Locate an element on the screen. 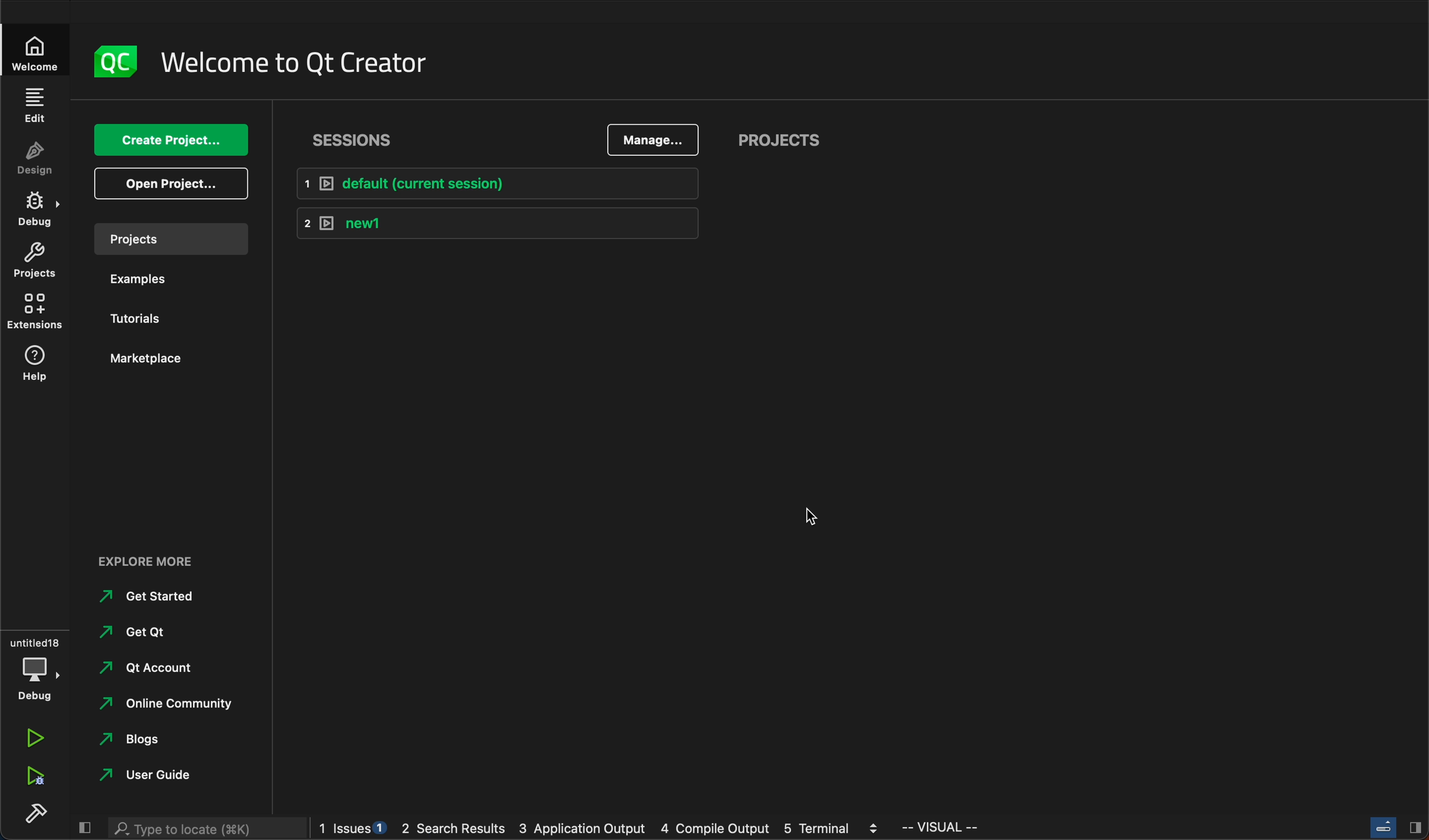 This screenshot has width=1429, height=840. design is located at coordinates (38, 158).